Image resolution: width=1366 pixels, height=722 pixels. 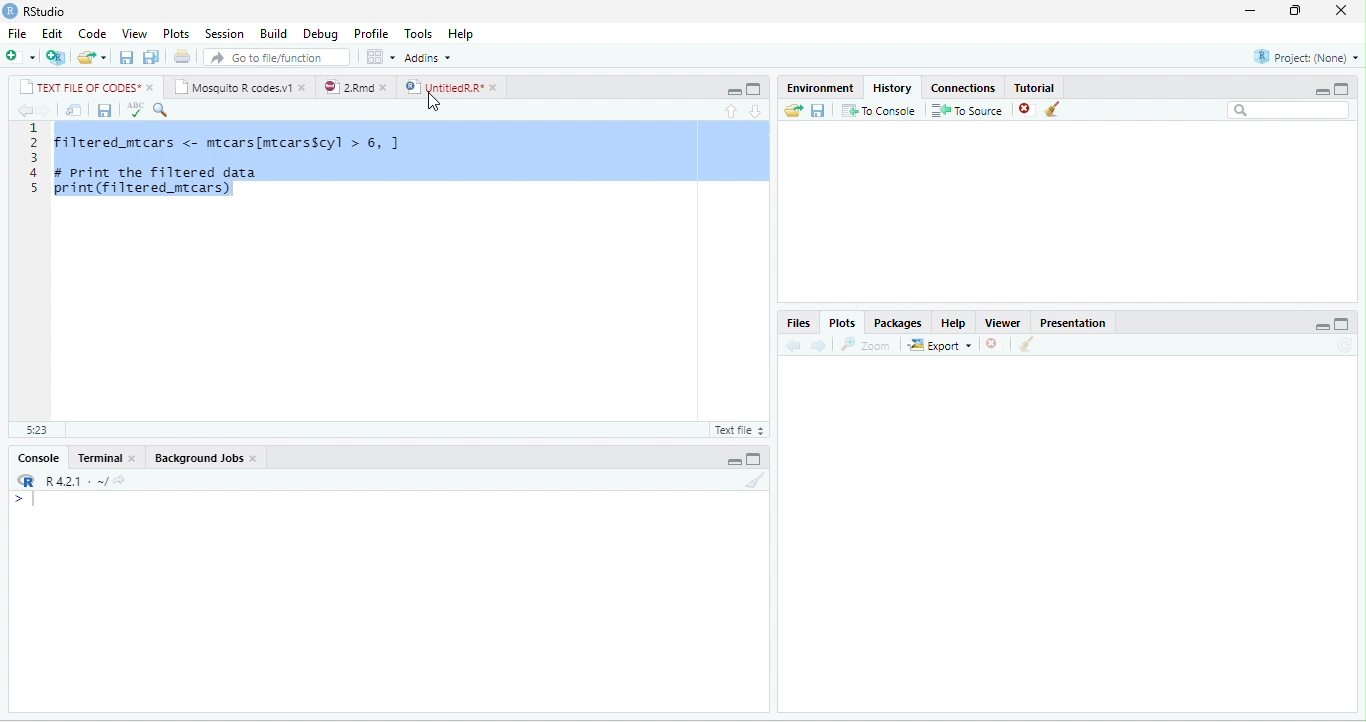 I want to click on back, so click(x=794, y=345).